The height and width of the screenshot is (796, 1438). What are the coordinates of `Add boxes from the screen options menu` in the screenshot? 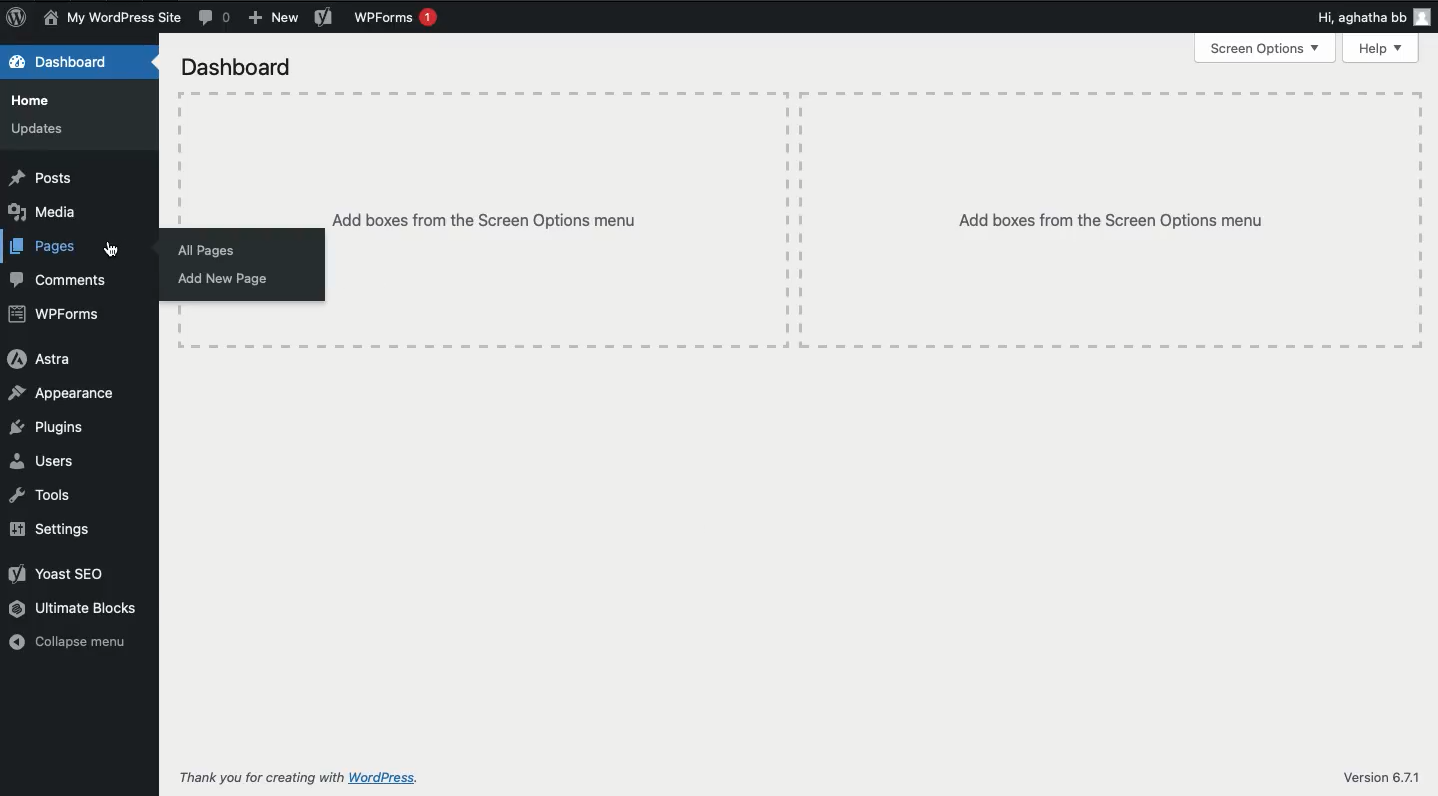 It's located at (485, 220).